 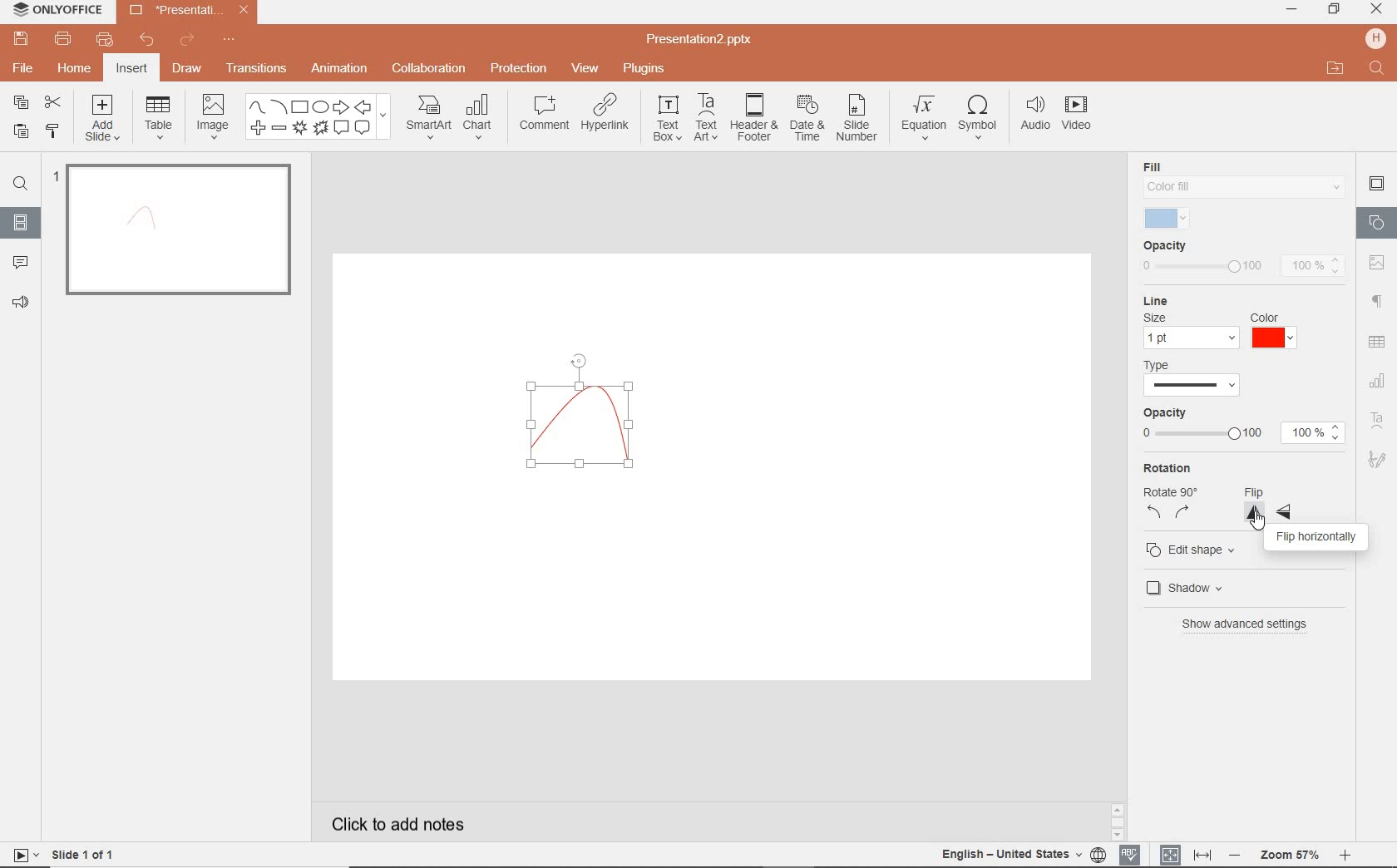 I want to click on TEXT LANGUAGE, so click(x=1023, y=852).